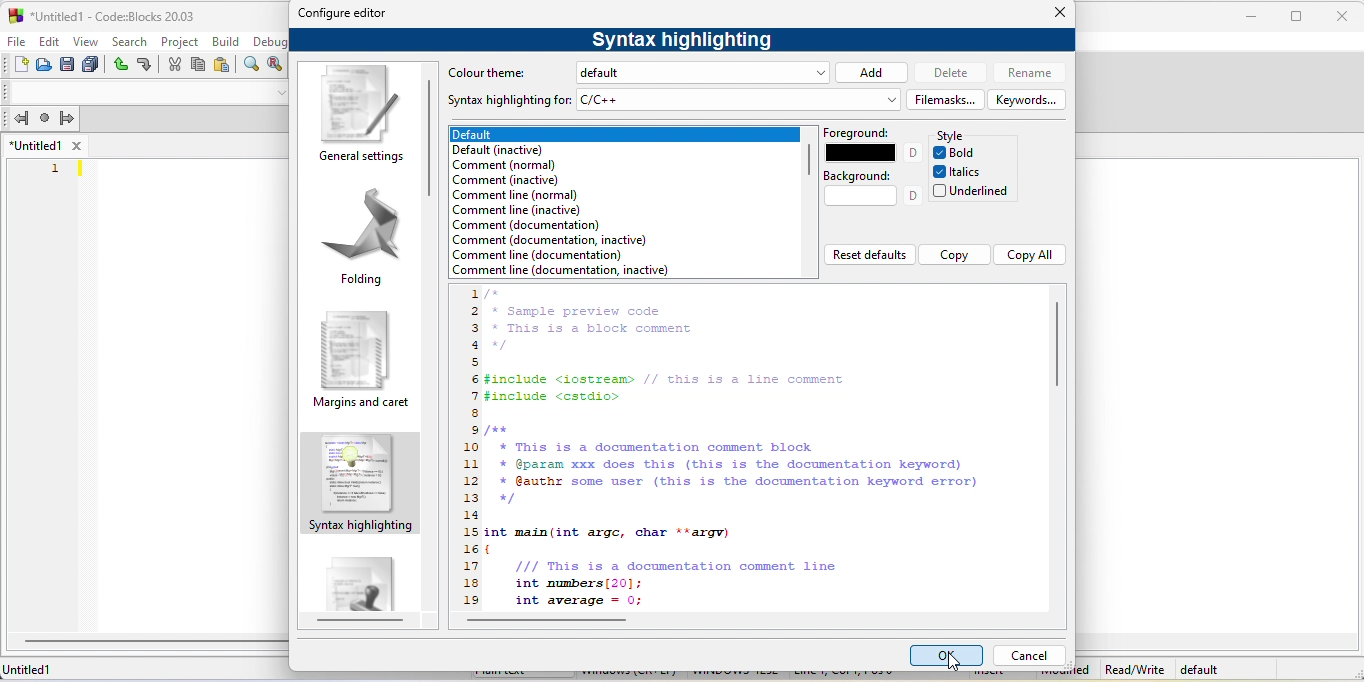  What do you see at coordinates (435, 135) in the screenshot?
I see `vertical scroll bar` at bounding box center [435, 135].